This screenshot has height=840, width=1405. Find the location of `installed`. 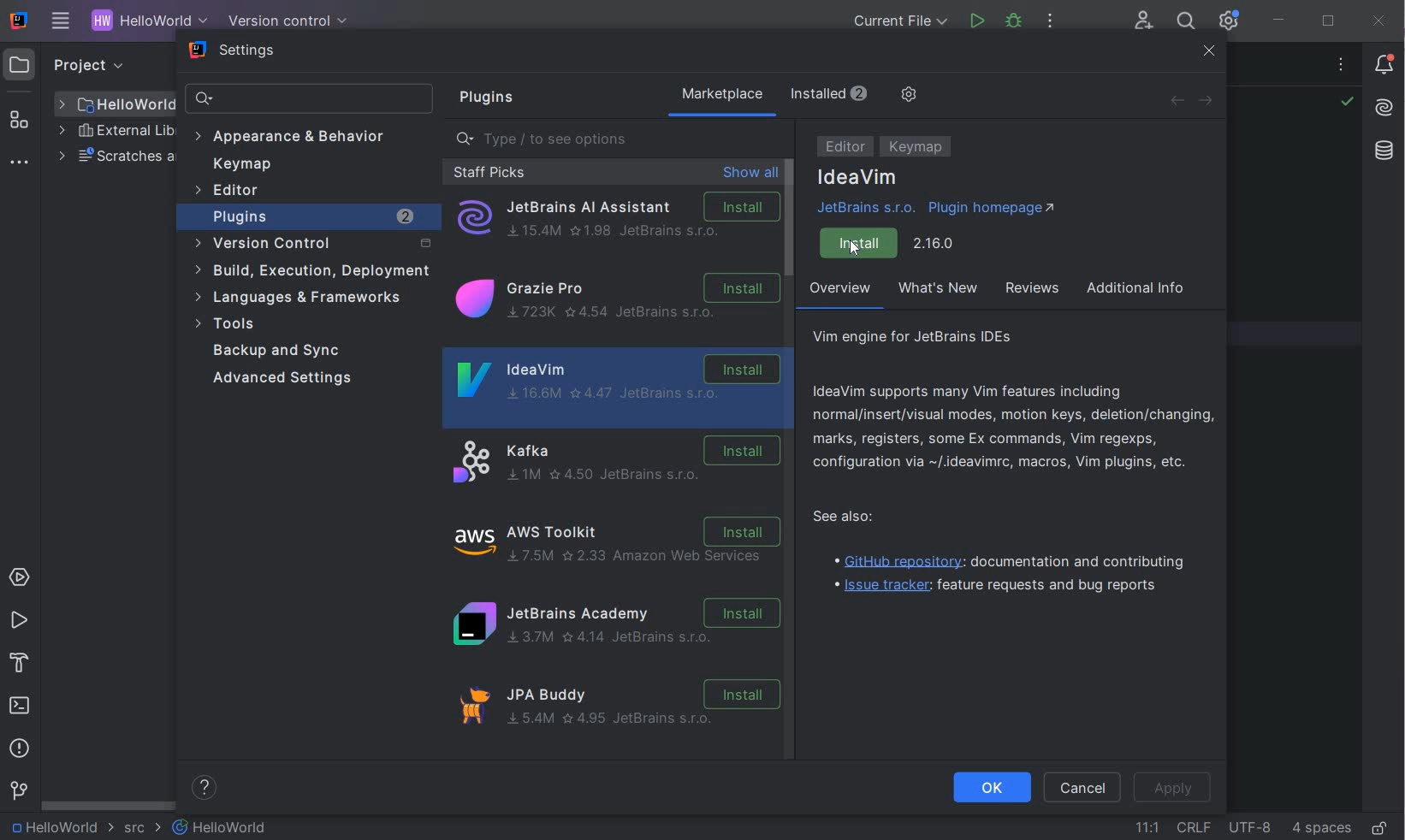

installed is located at coordinates (833, 93).